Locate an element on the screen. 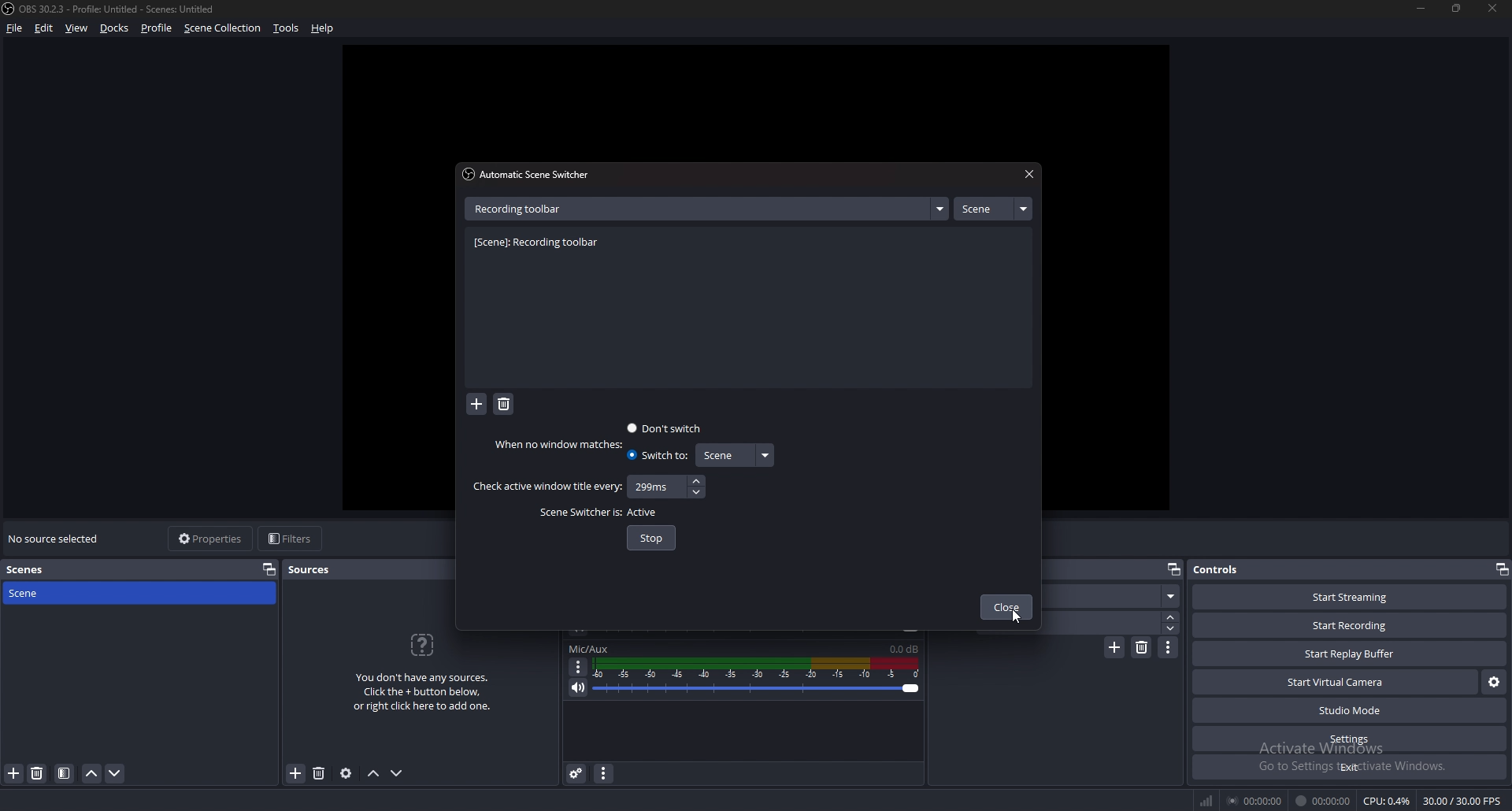 This screenshot has width=1512, height=811. cpu is located at coordinates (1387, 801).